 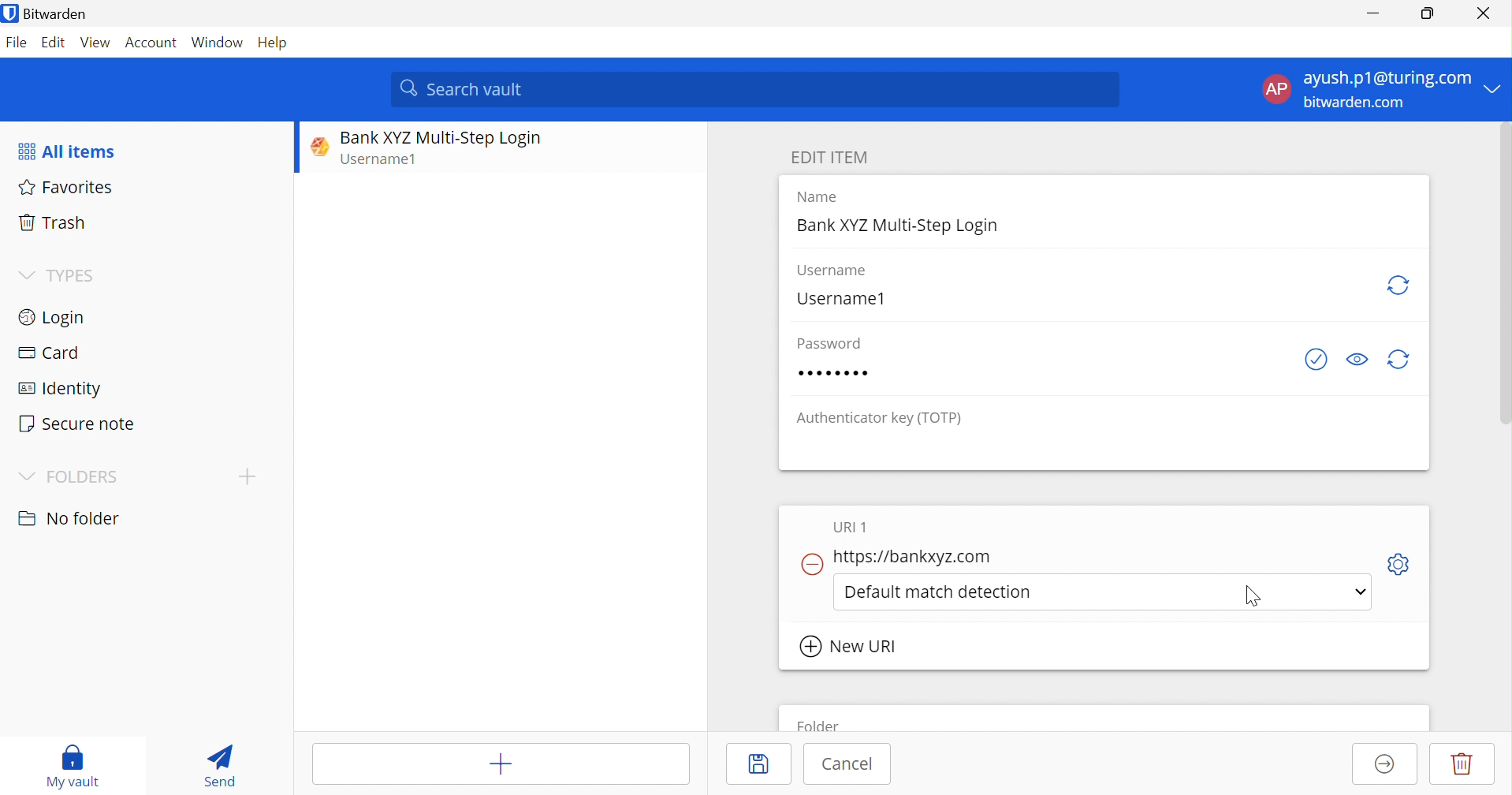 I want to click on Check if password has been exposed, so click(x=1316, y=361).